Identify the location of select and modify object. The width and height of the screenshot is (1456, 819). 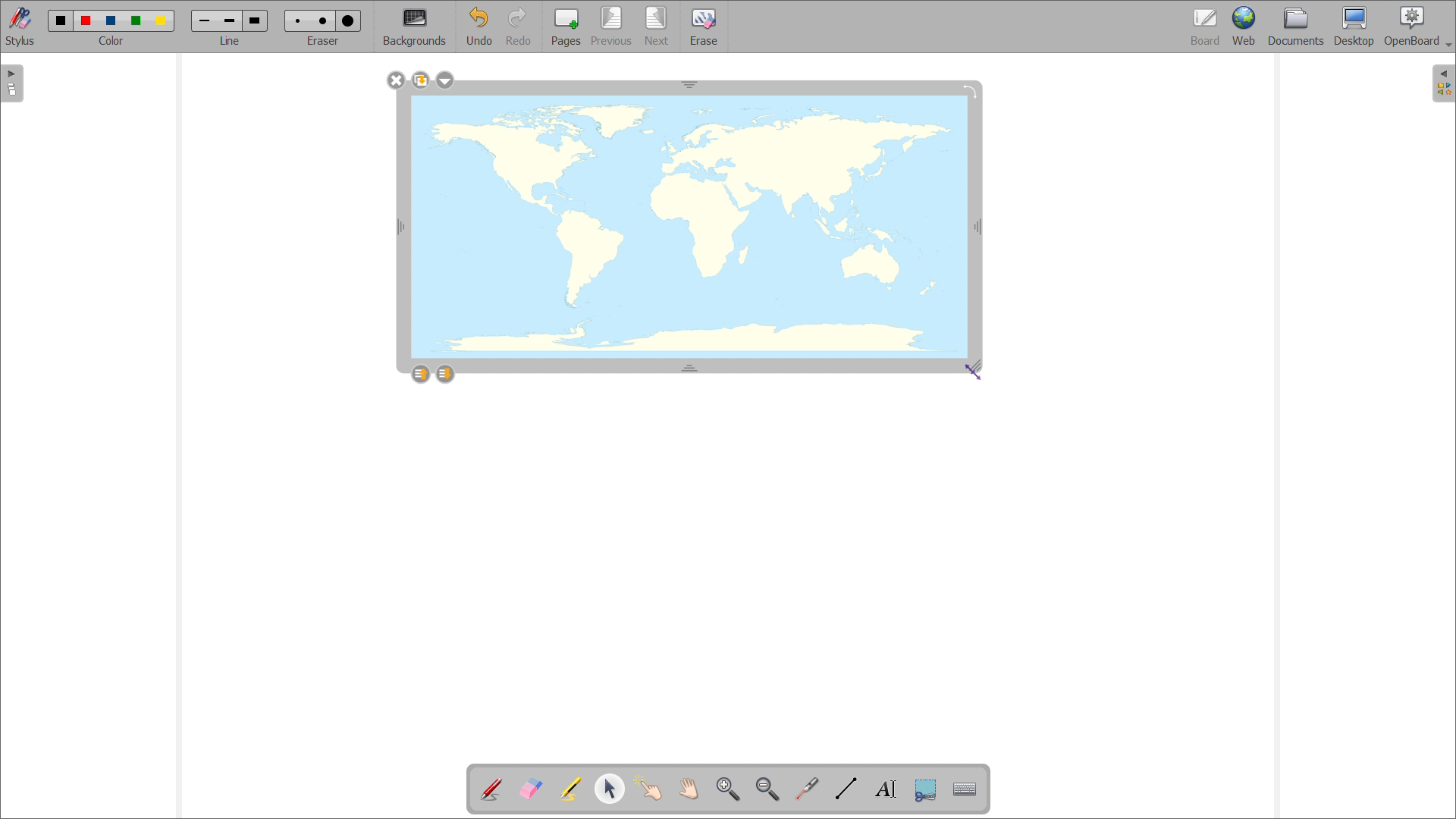
(610, 789).